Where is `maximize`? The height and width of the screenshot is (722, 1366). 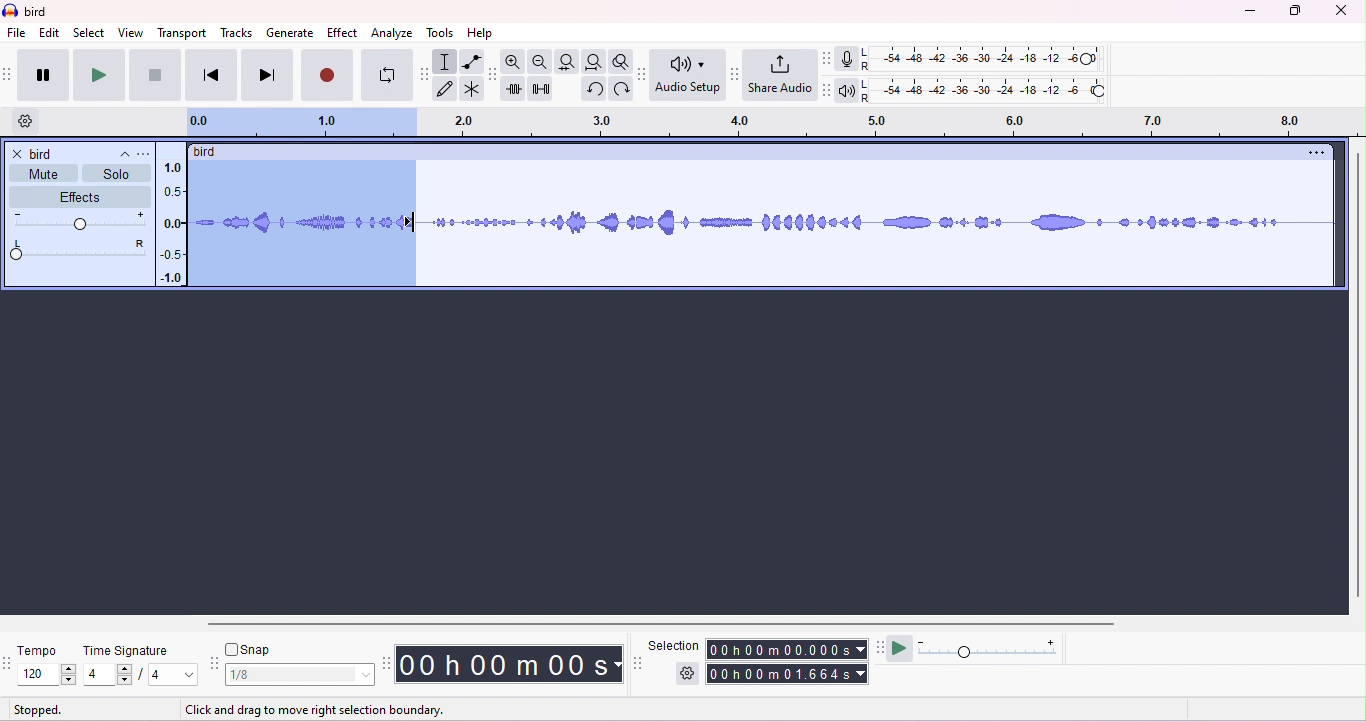
maximize is located at coordinates (1293, 11).